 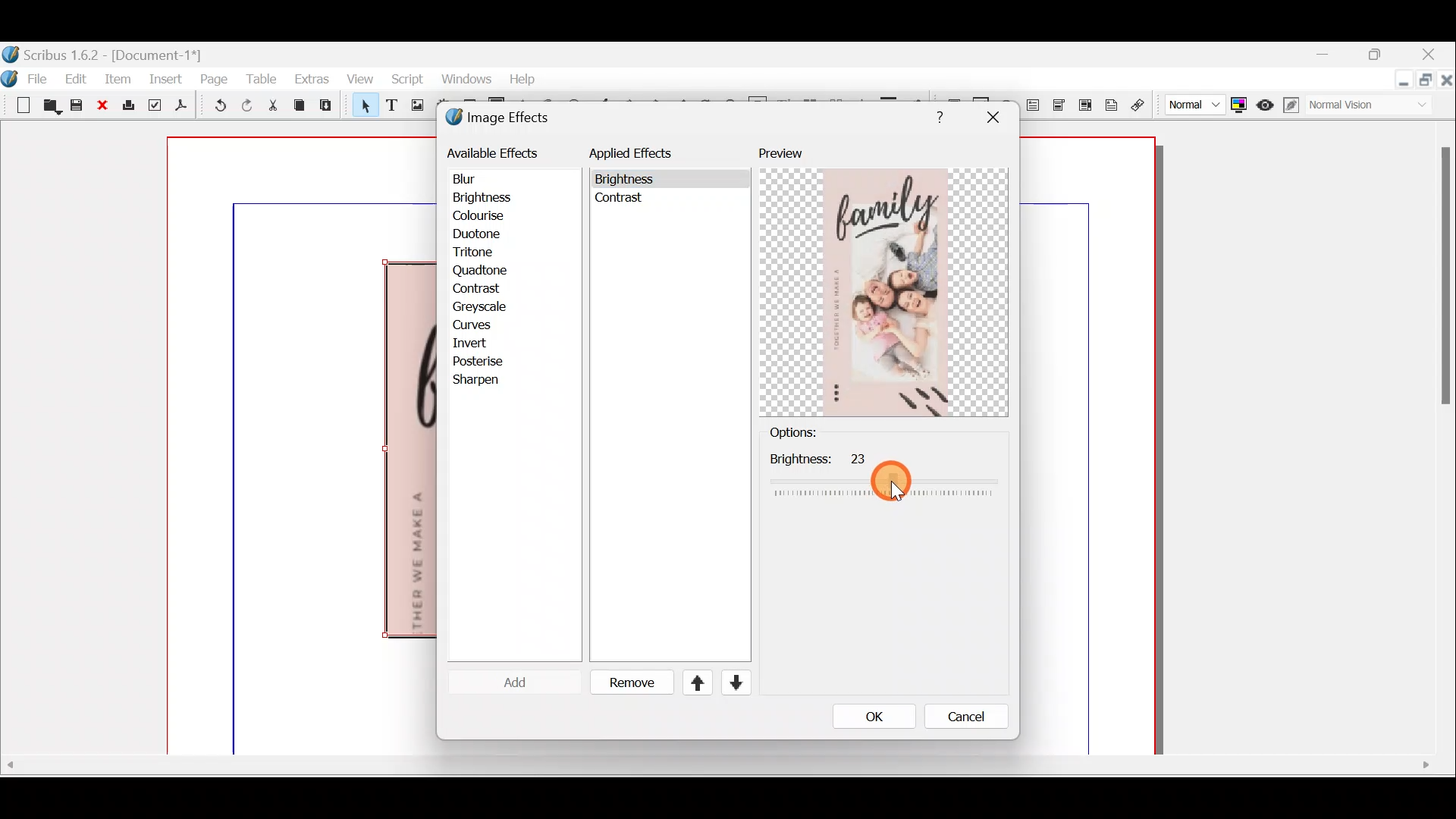 What do you see at coordinates (507, 119) in the screenshot?
I see `Image effects` at bounding box center [507, 119].